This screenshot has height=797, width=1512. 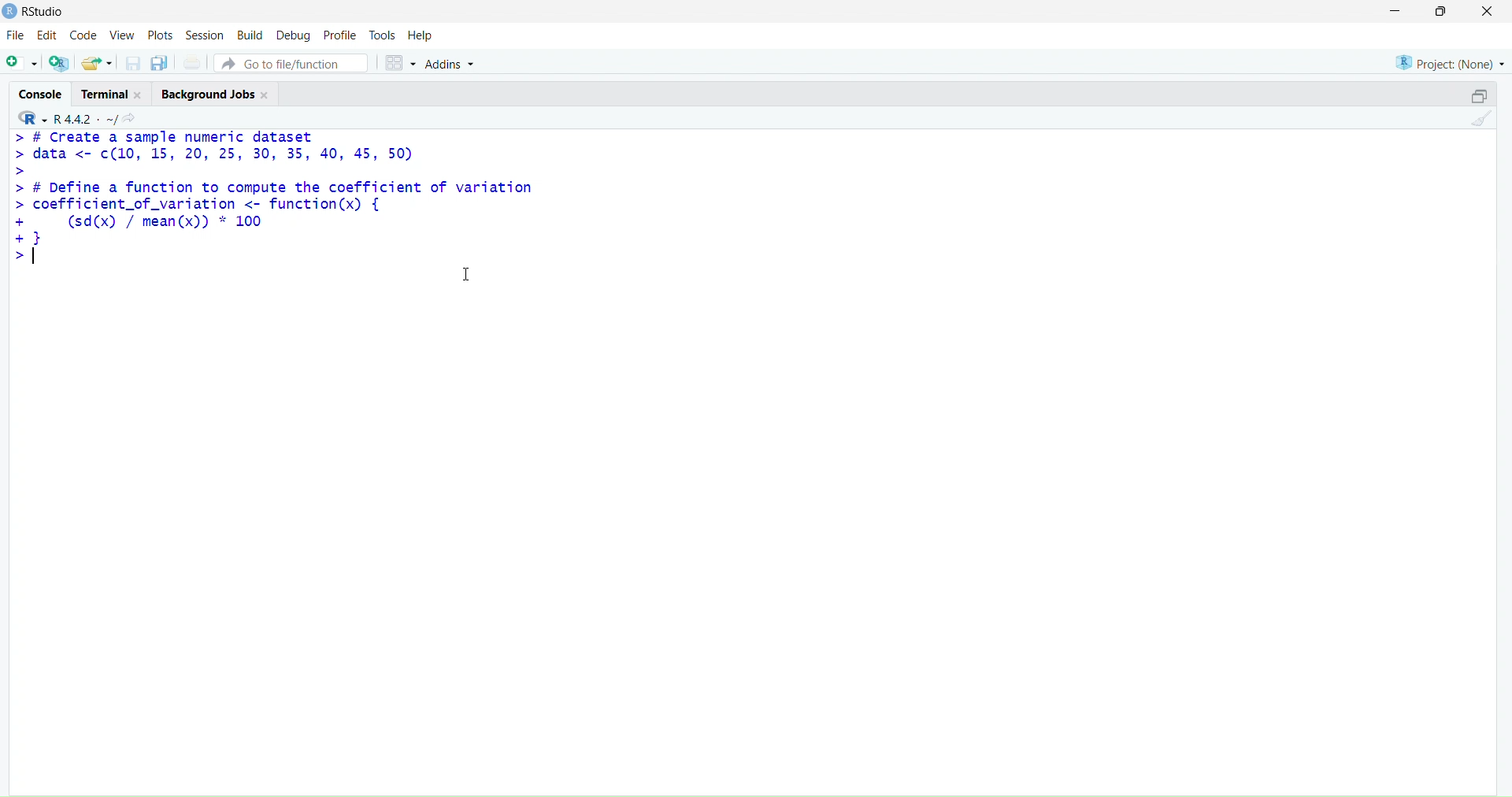 I want to click on copy, so click(x=159, y=63).